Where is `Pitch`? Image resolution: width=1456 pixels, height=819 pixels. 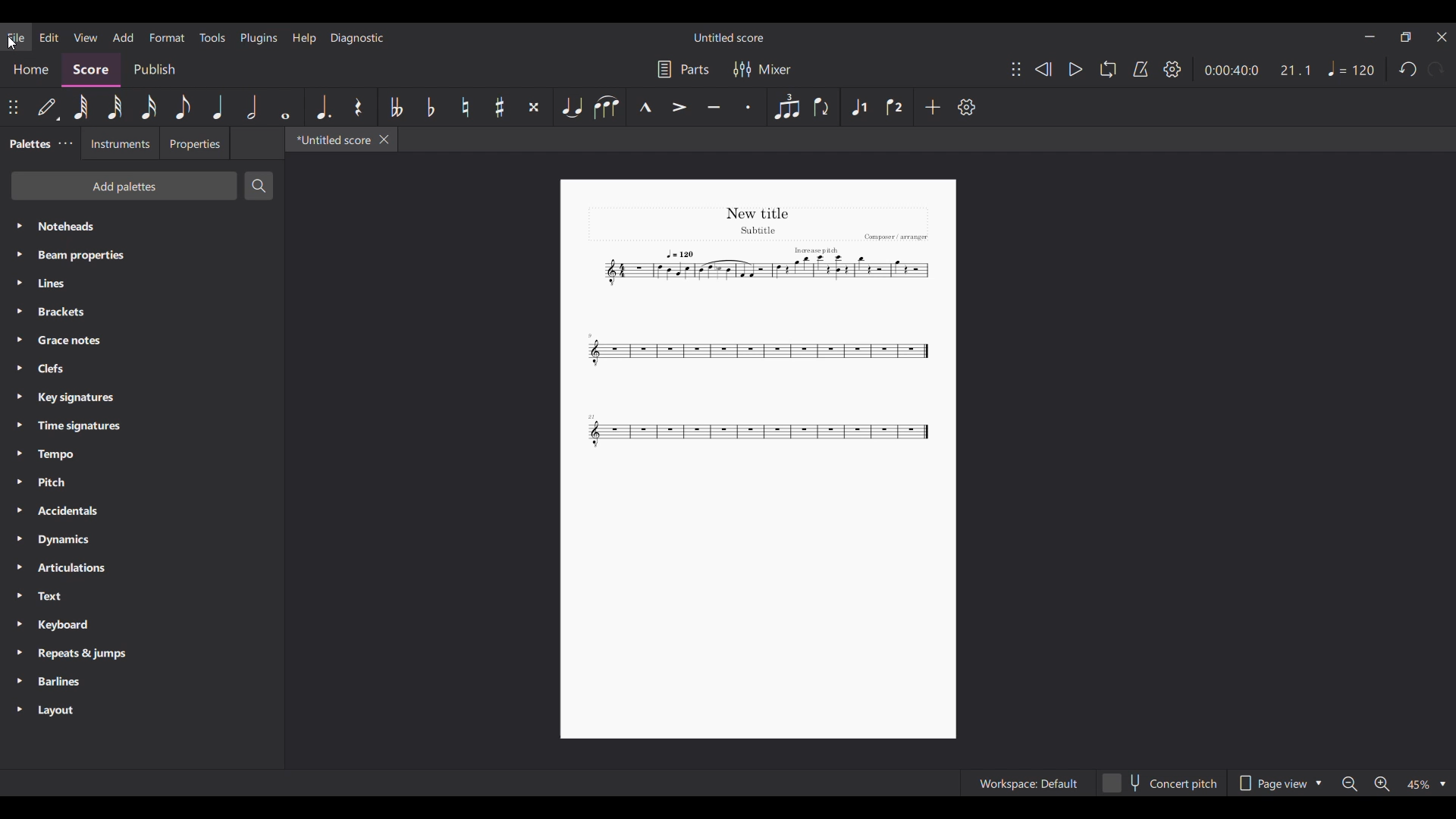
Pitch is located at coordinates (143, 482).